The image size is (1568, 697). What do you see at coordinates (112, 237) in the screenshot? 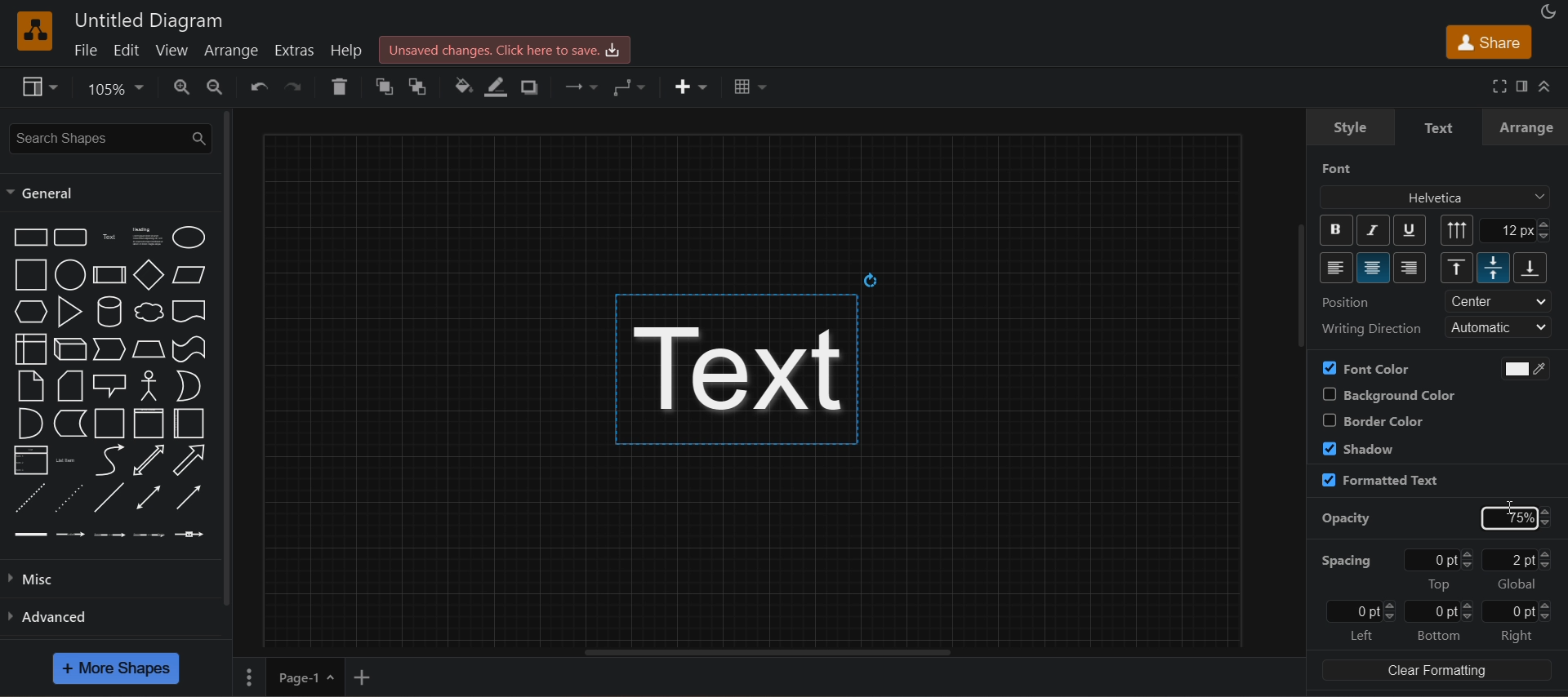
I see `text` at bounding box center [112, 237].